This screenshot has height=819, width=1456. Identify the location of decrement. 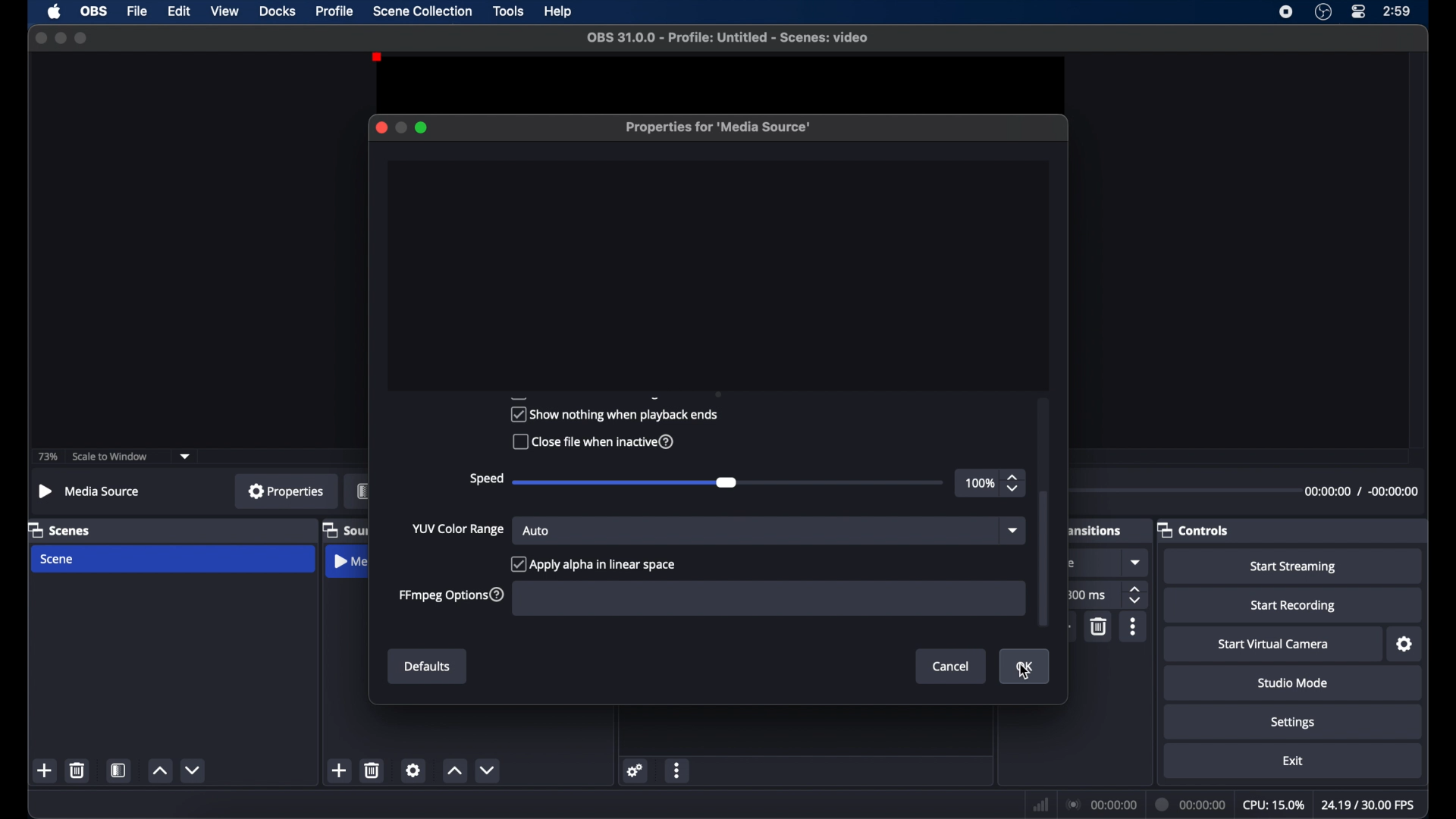
(194, 770).